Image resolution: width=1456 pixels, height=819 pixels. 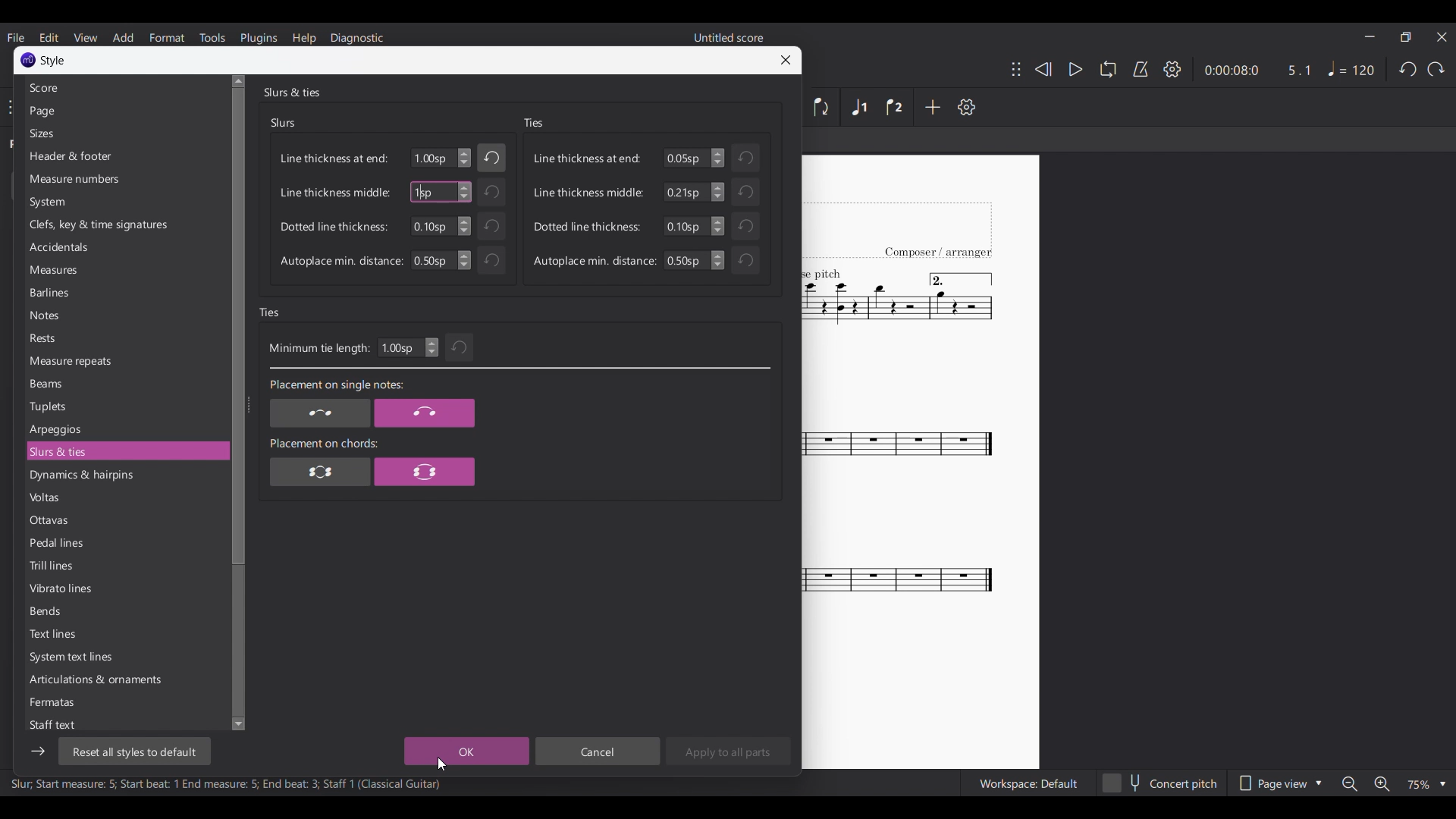 I want to click on Rewind, so click(x=1043, y=70).